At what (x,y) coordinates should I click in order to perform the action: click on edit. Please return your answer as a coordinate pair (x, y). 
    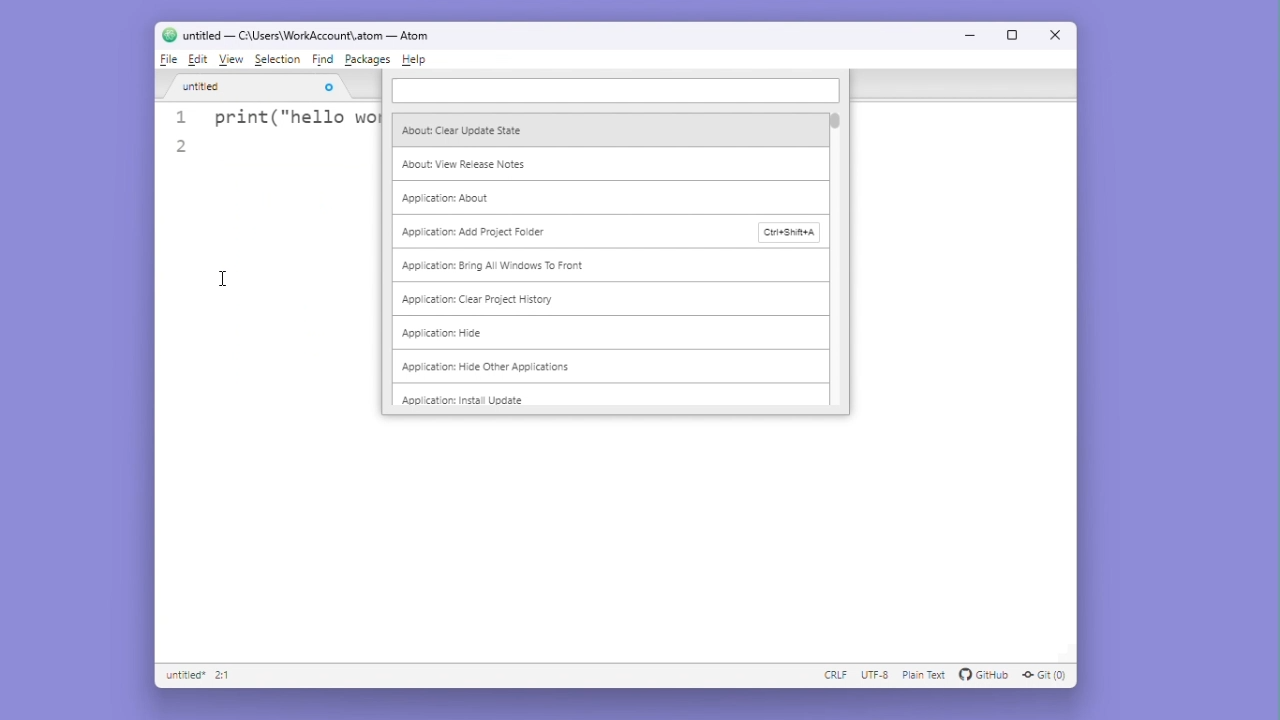
    Looking at the image, I should click on (199, 60).